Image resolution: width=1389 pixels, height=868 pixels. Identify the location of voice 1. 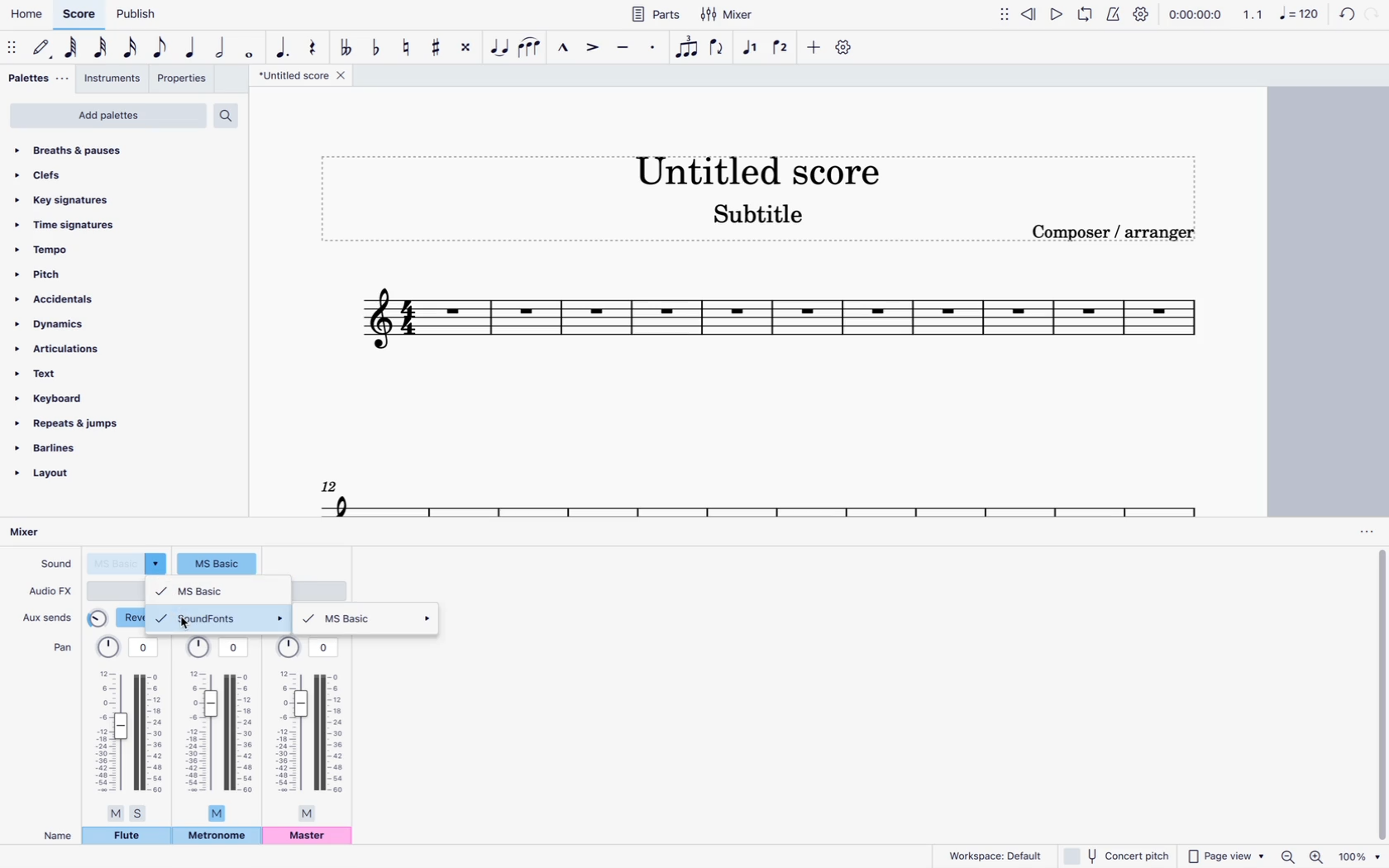
(752, 48).